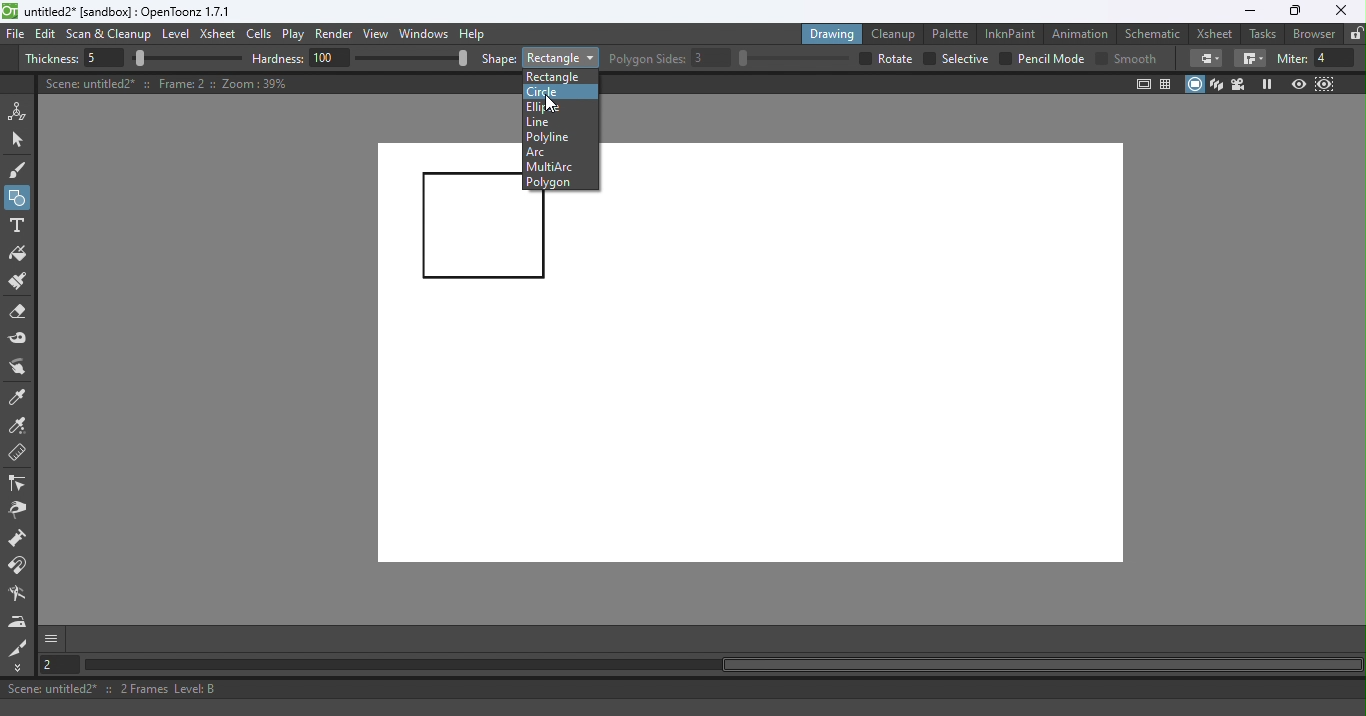  I want to click on Animate tool, so click(21, 111).